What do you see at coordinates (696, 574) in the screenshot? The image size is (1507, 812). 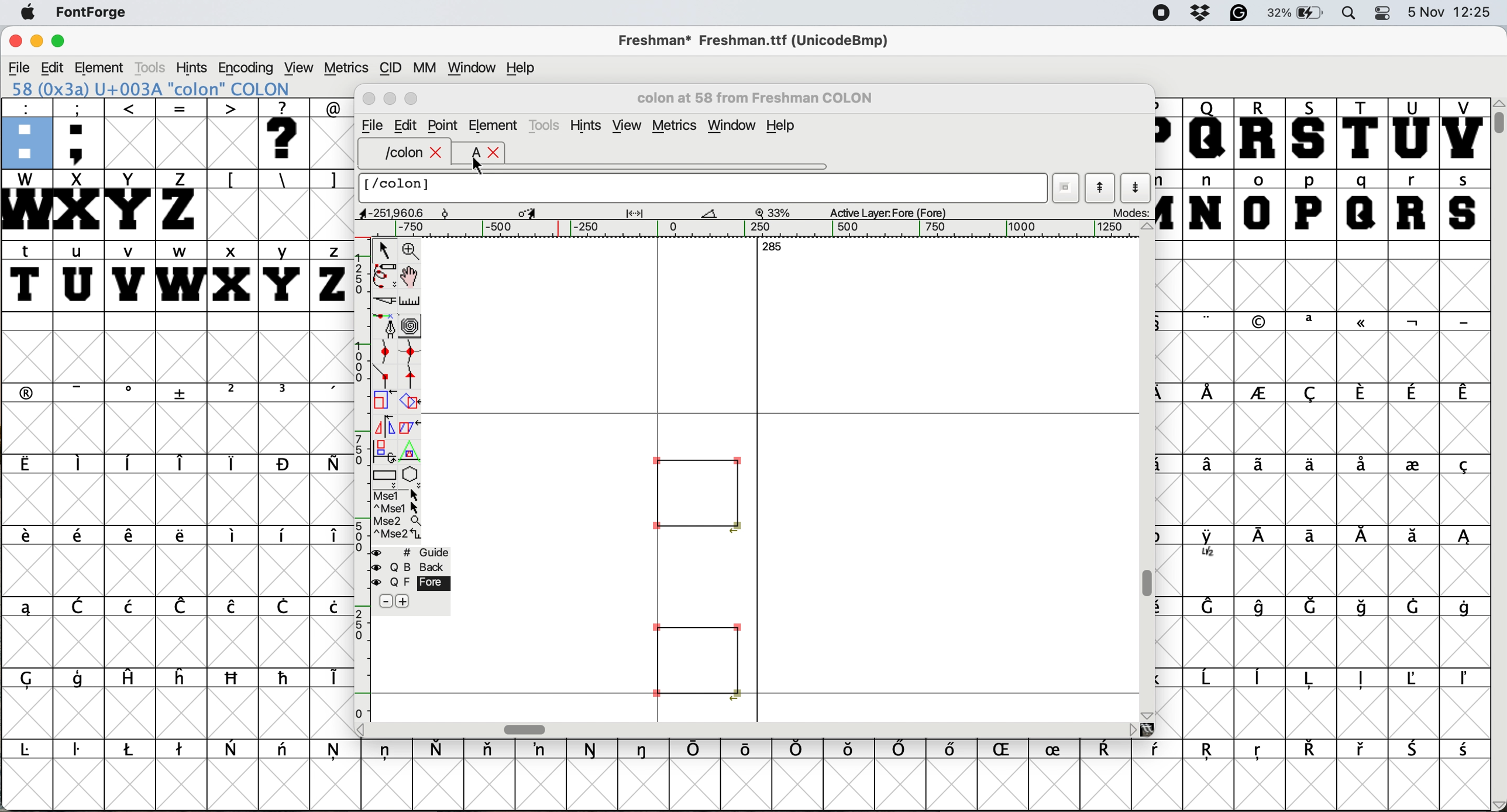 I see `glyph` at bounding box center [696, 574].